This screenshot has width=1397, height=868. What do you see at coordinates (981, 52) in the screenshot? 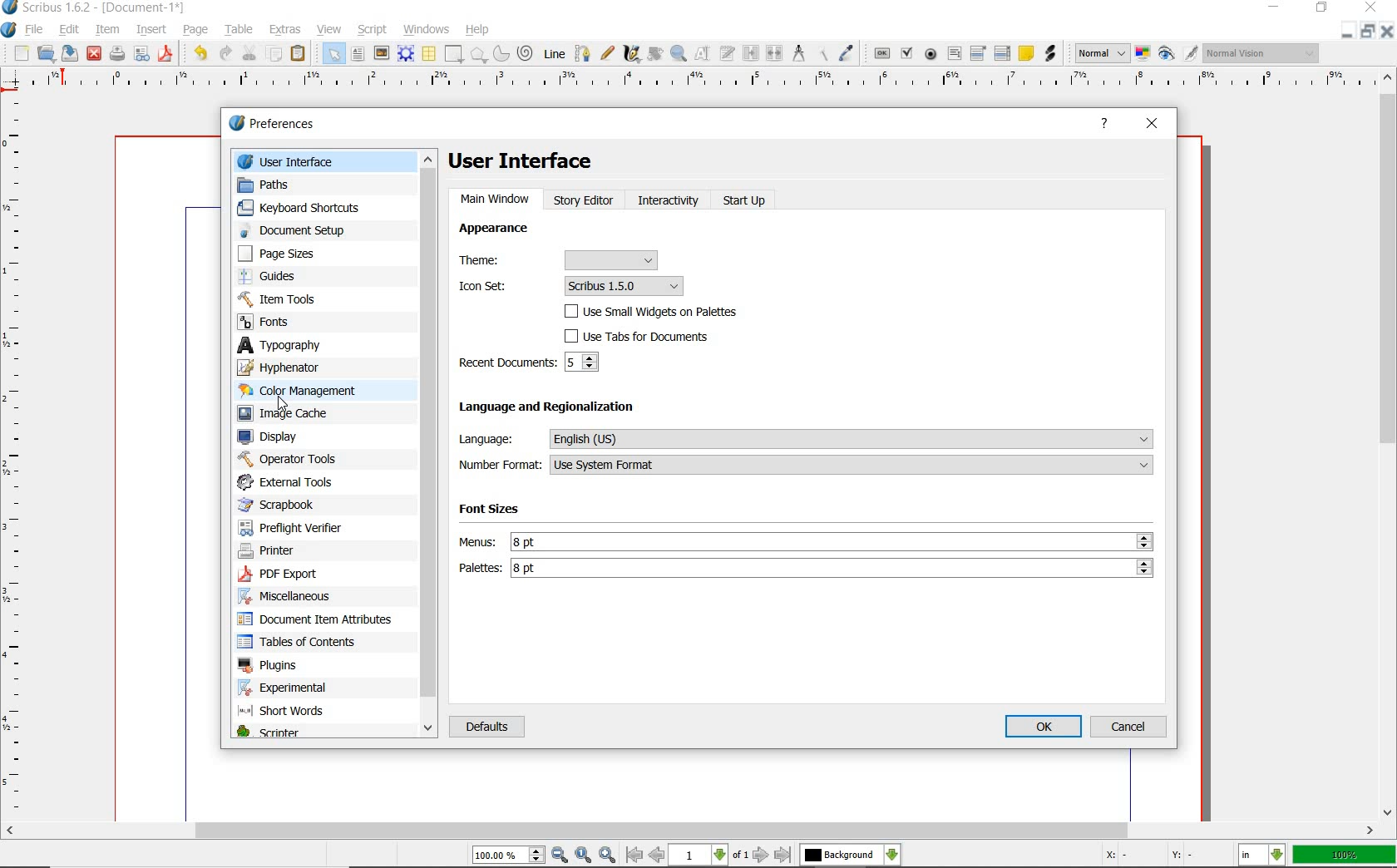
I see `pdf combo box` at bounding box center [981, 52].